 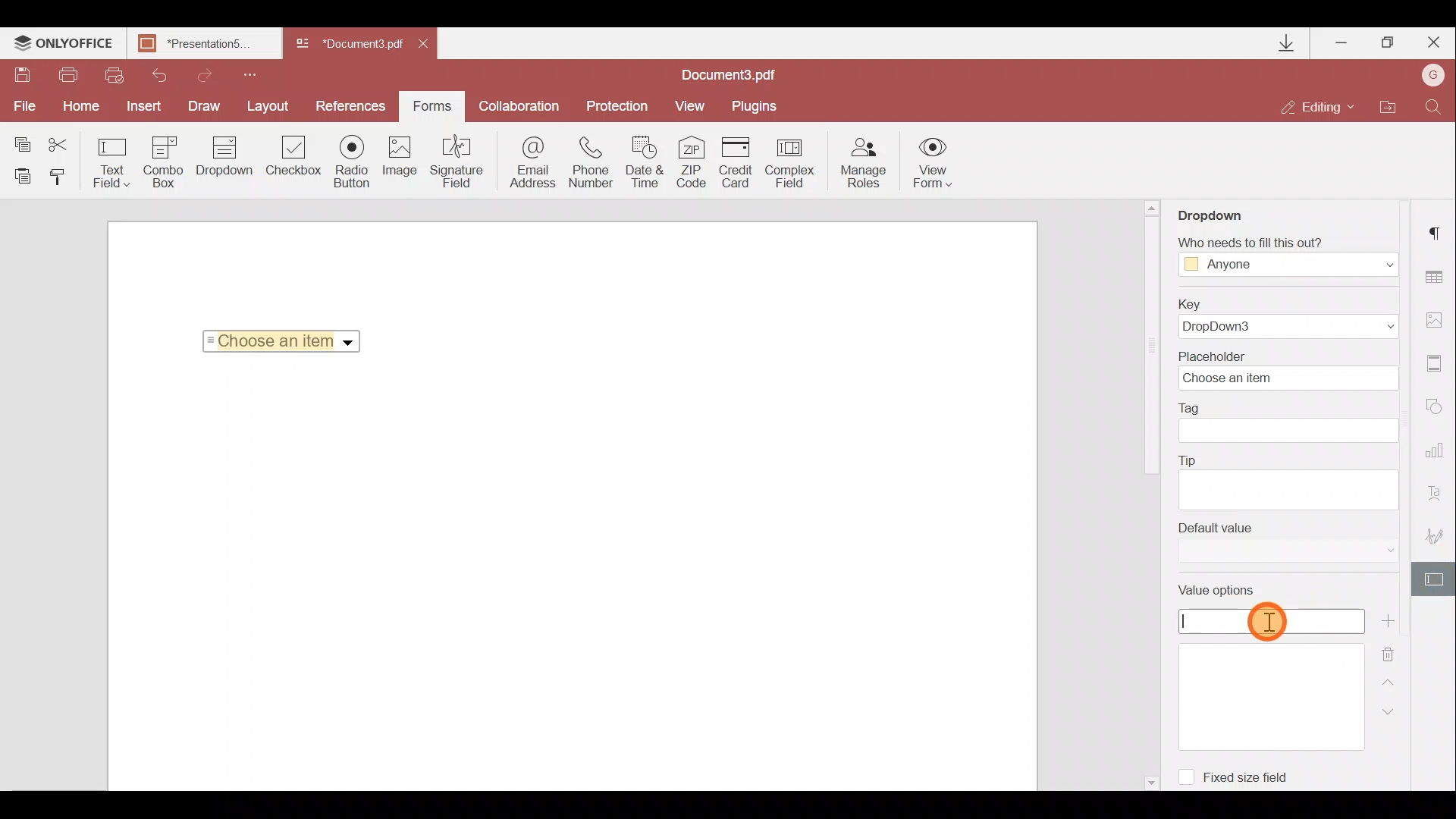 I want to click on Copy, so click(x=18, y=139).